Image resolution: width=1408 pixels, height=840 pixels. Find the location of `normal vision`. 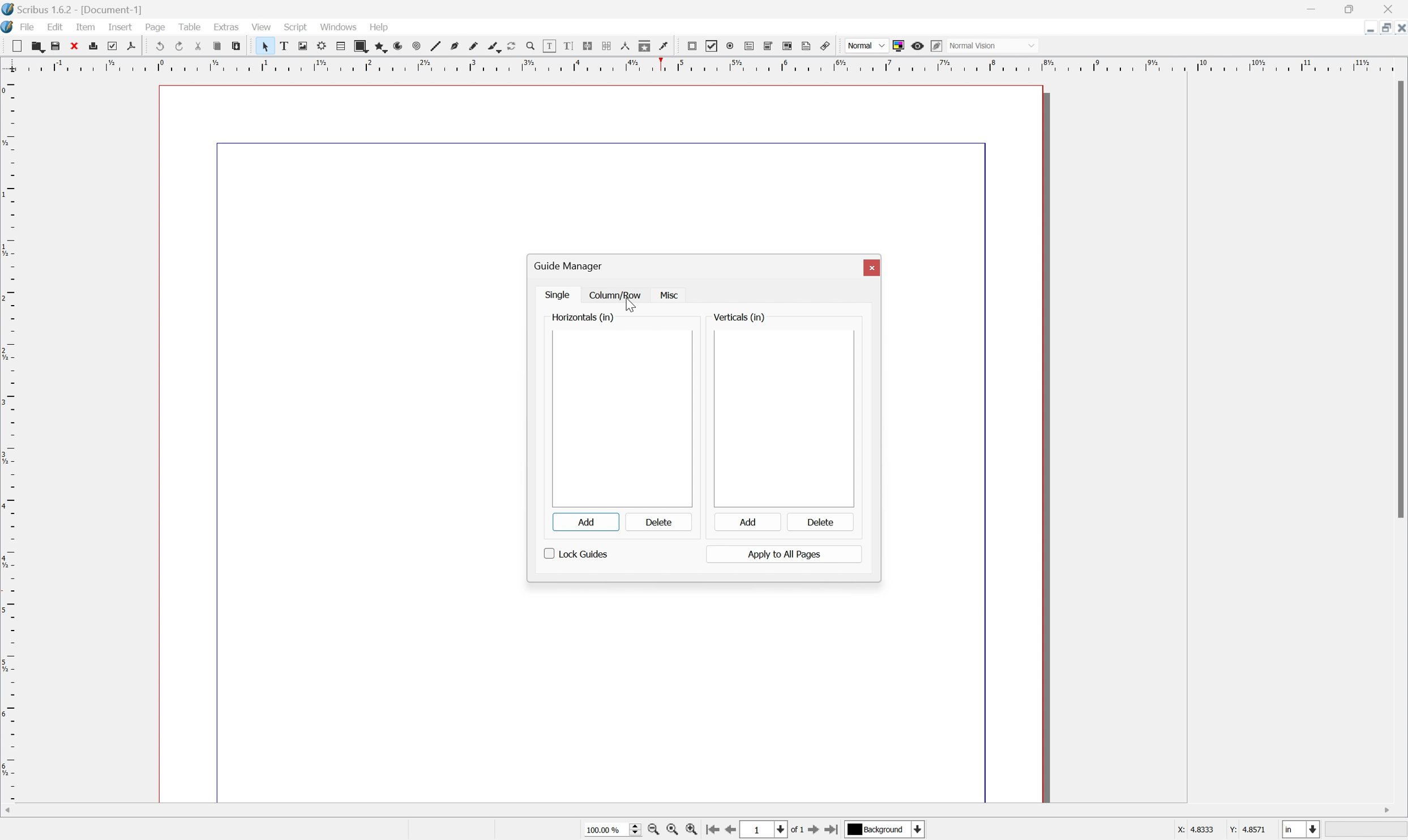

normal vision is located at coordinates (992, 45).